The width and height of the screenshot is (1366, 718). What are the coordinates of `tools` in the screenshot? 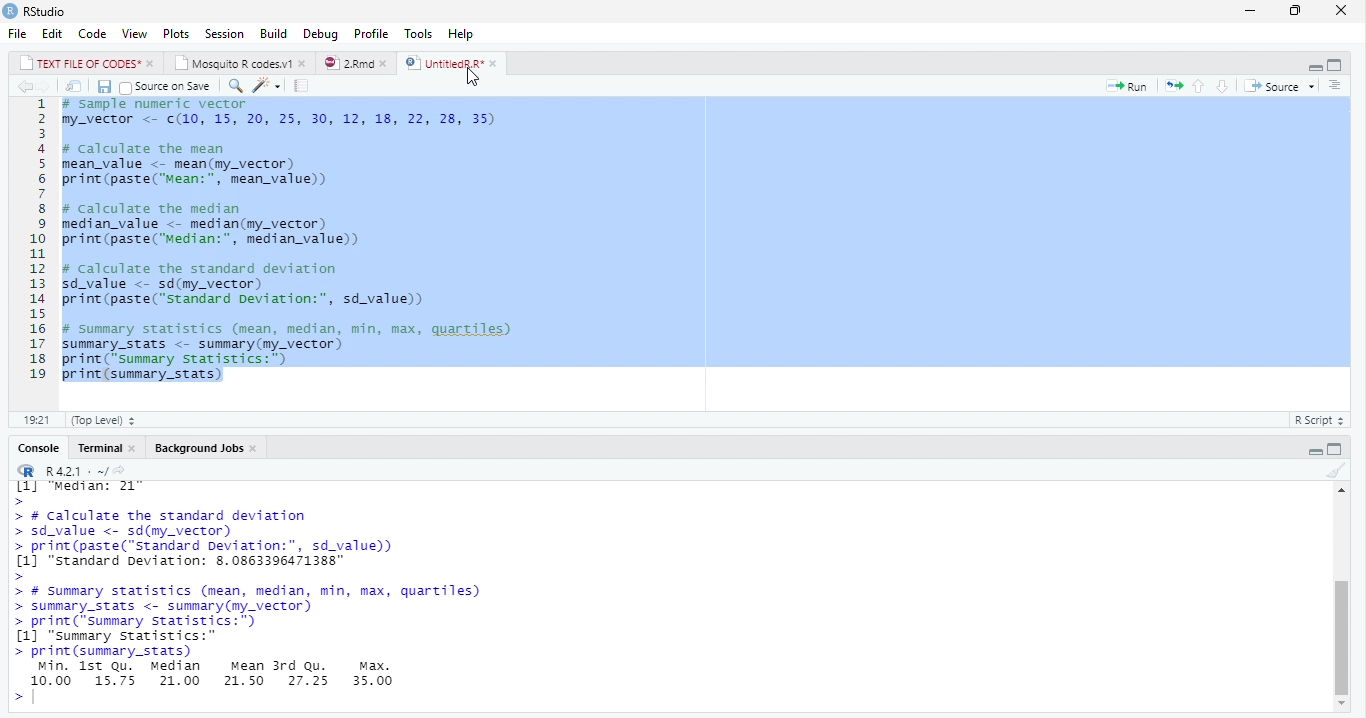 It's located at (420, 34).